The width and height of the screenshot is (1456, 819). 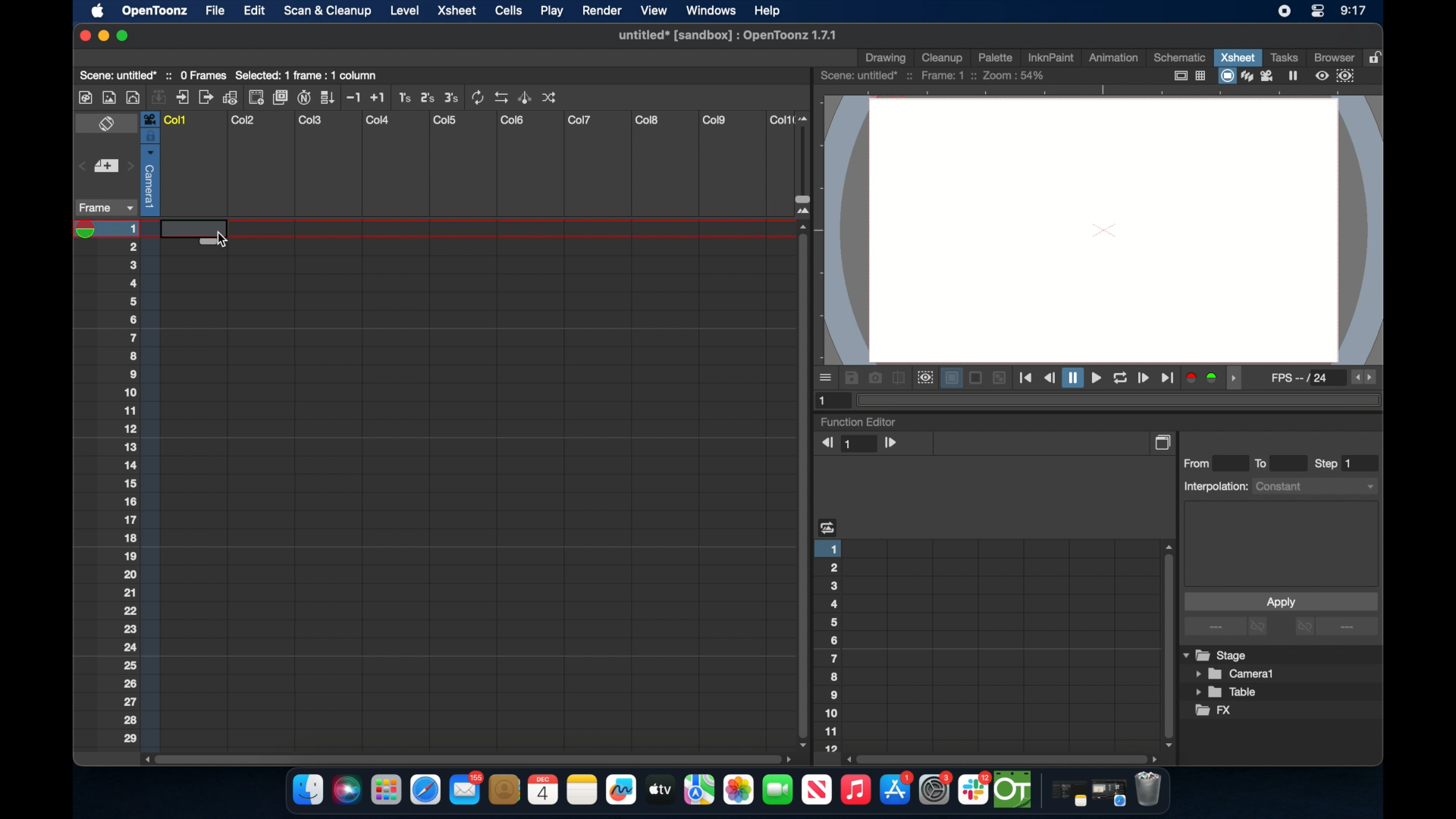 I want to click on file name, so click(x=724, y=36).